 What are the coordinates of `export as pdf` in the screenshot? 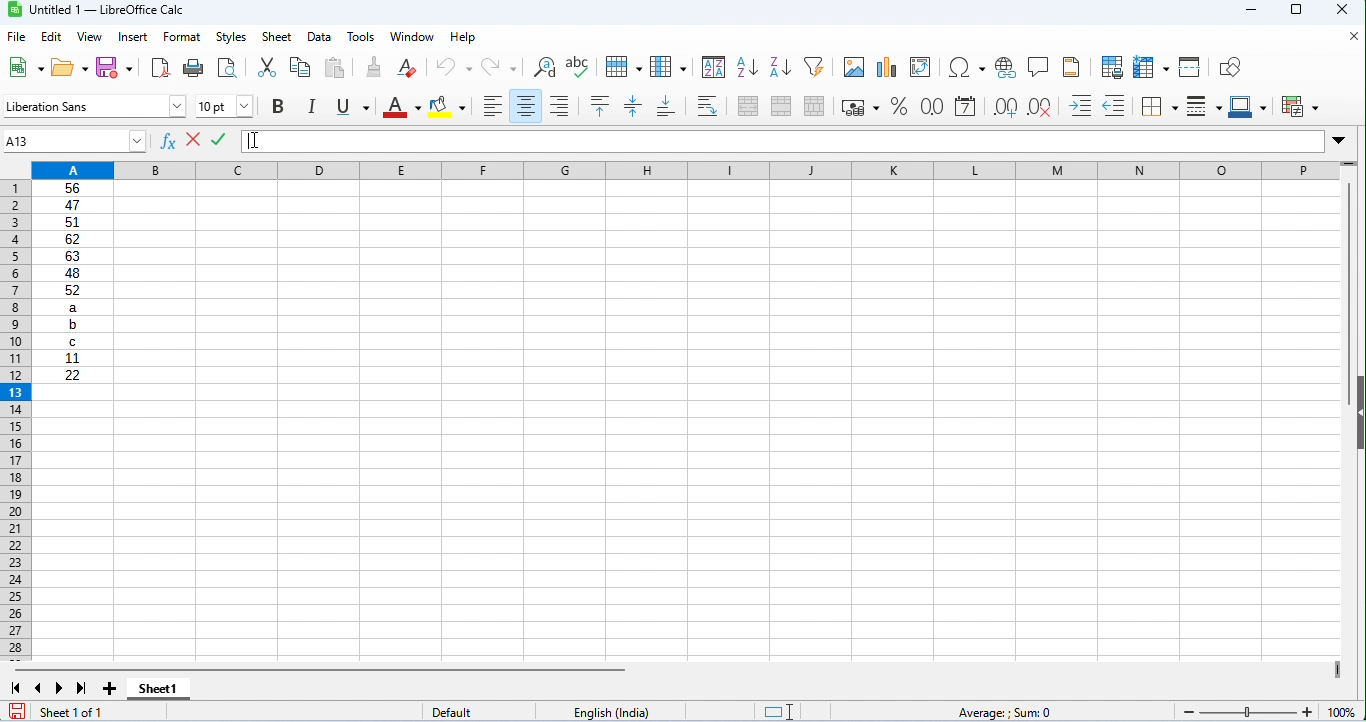 It's located at (162, 70).